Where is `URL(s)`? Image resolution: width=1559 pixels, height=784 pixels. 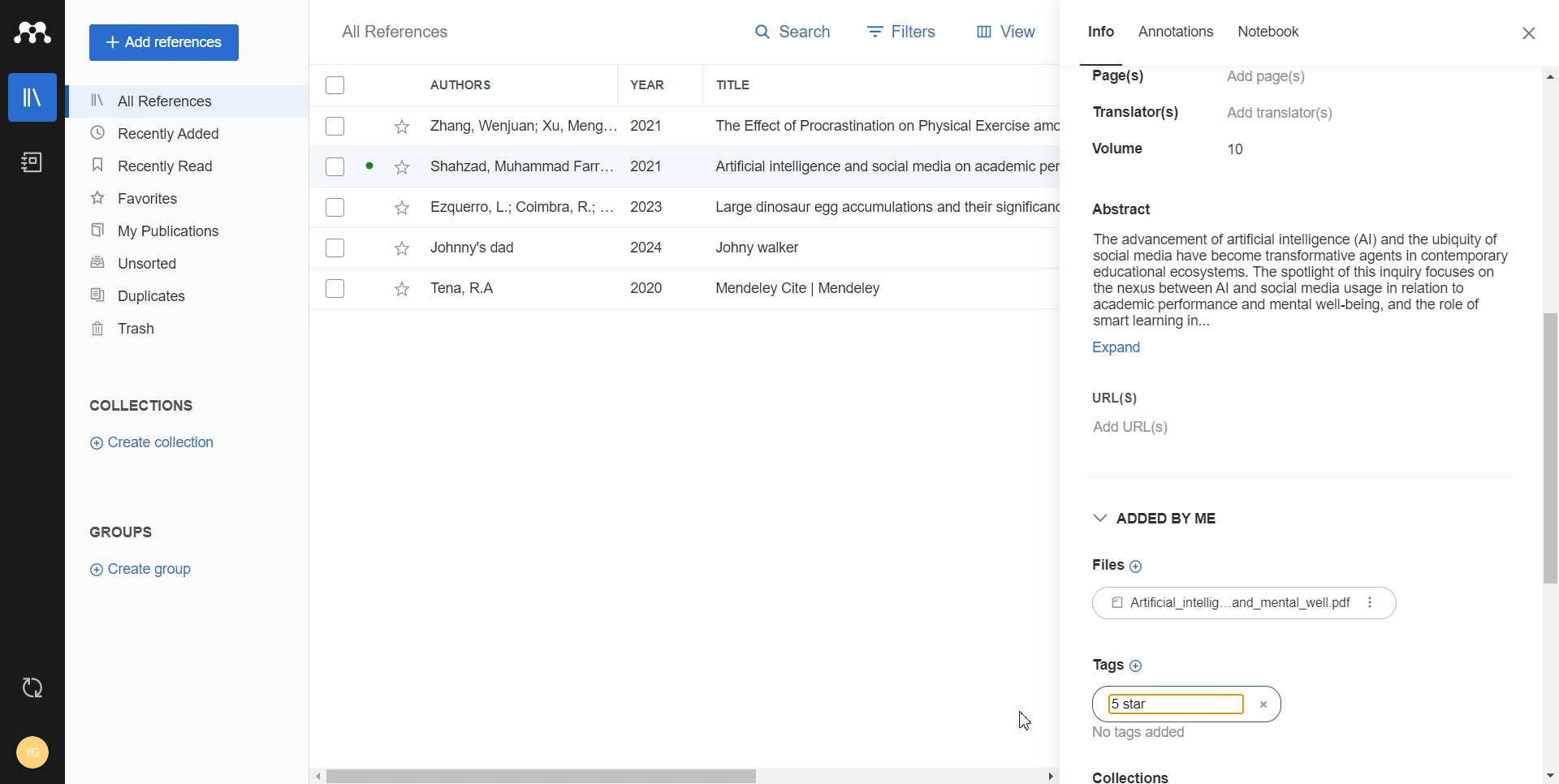
URL(s) is located at coordinates (1301, 414).